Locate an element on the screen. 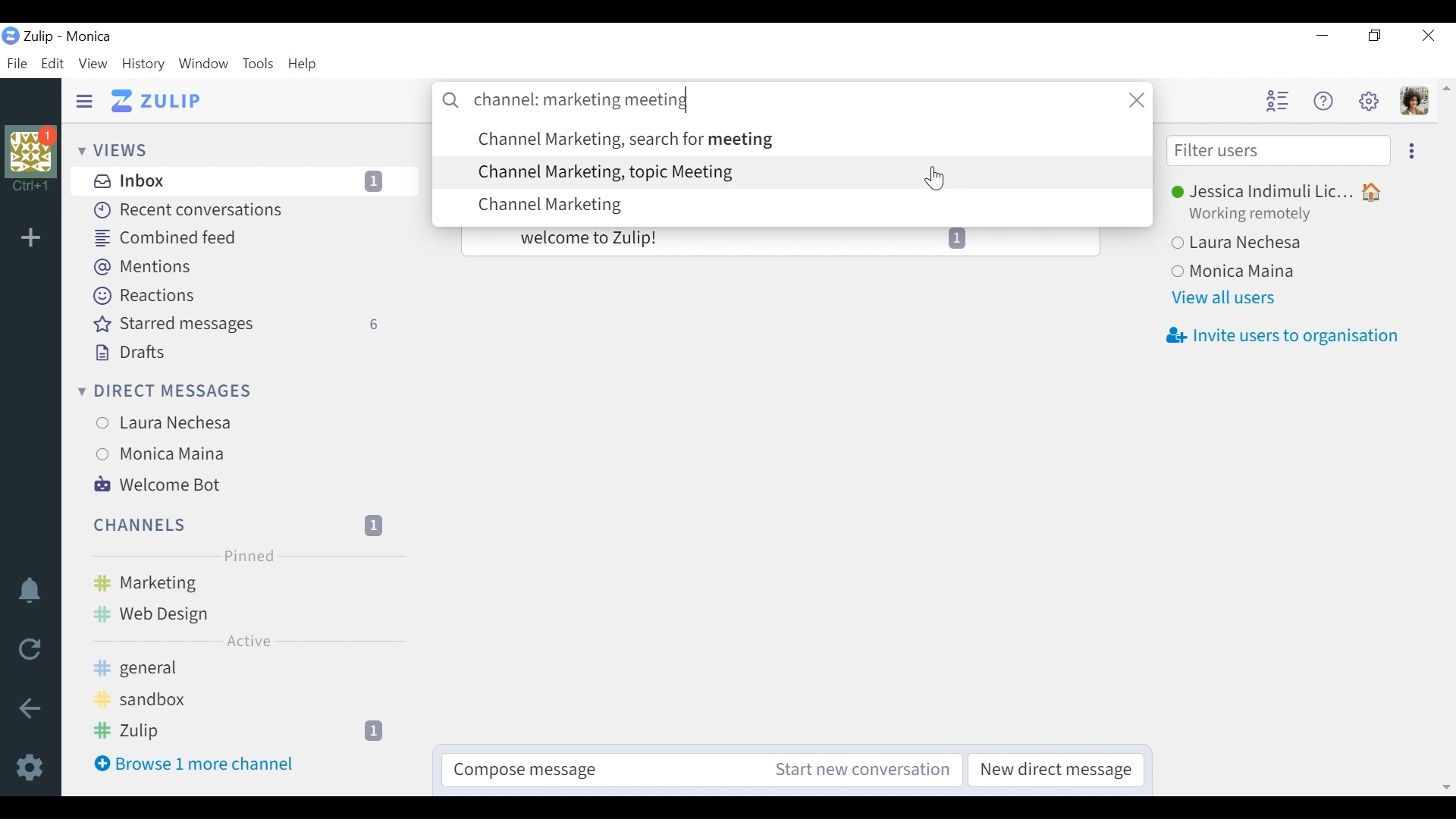 Image resolution: width=1456 pixels, height=819 pixels. Cursor is located at coordinates (934, 177).